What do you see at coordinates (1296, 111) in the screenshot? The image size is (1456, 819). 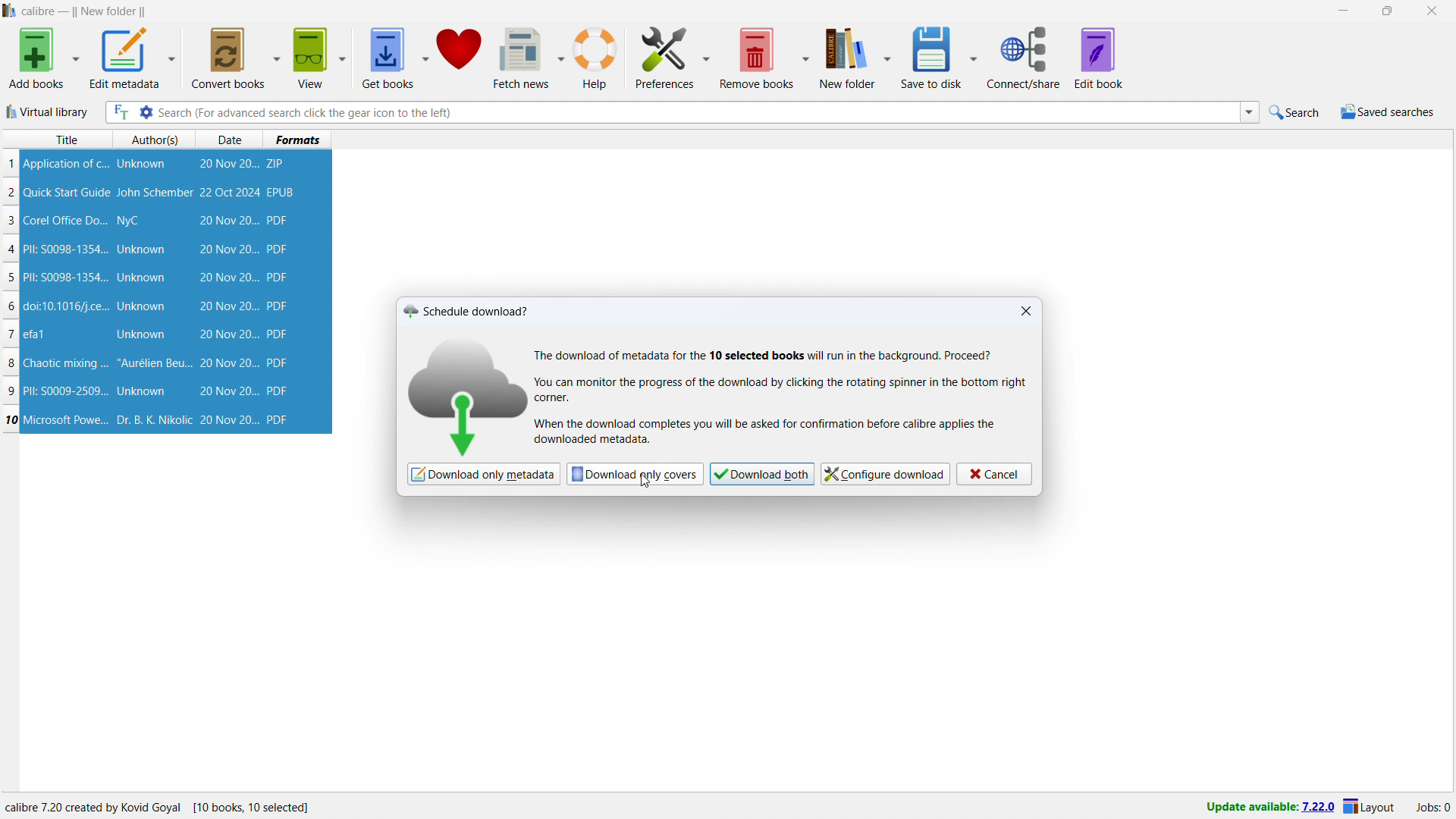 I see `search` at bounding box center [1296, 111].